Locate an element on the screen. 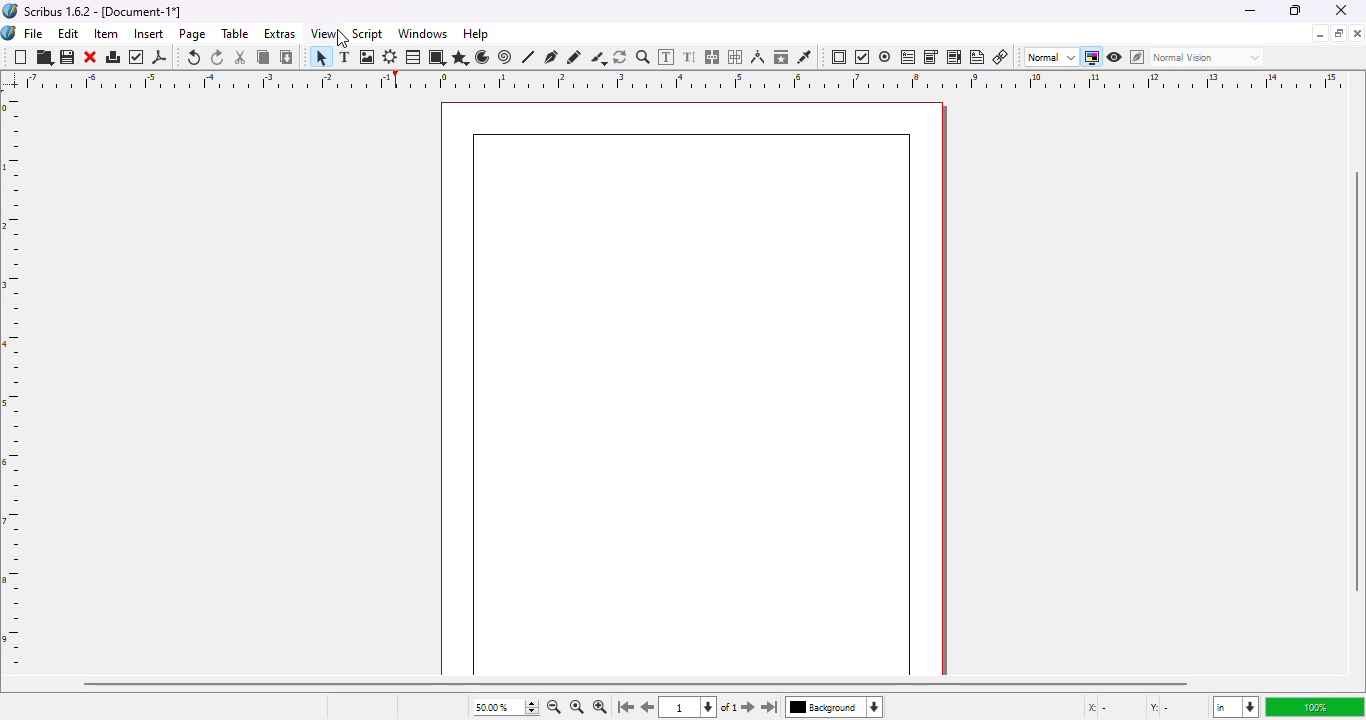  PDF push button is located at coordinates (839, 57).